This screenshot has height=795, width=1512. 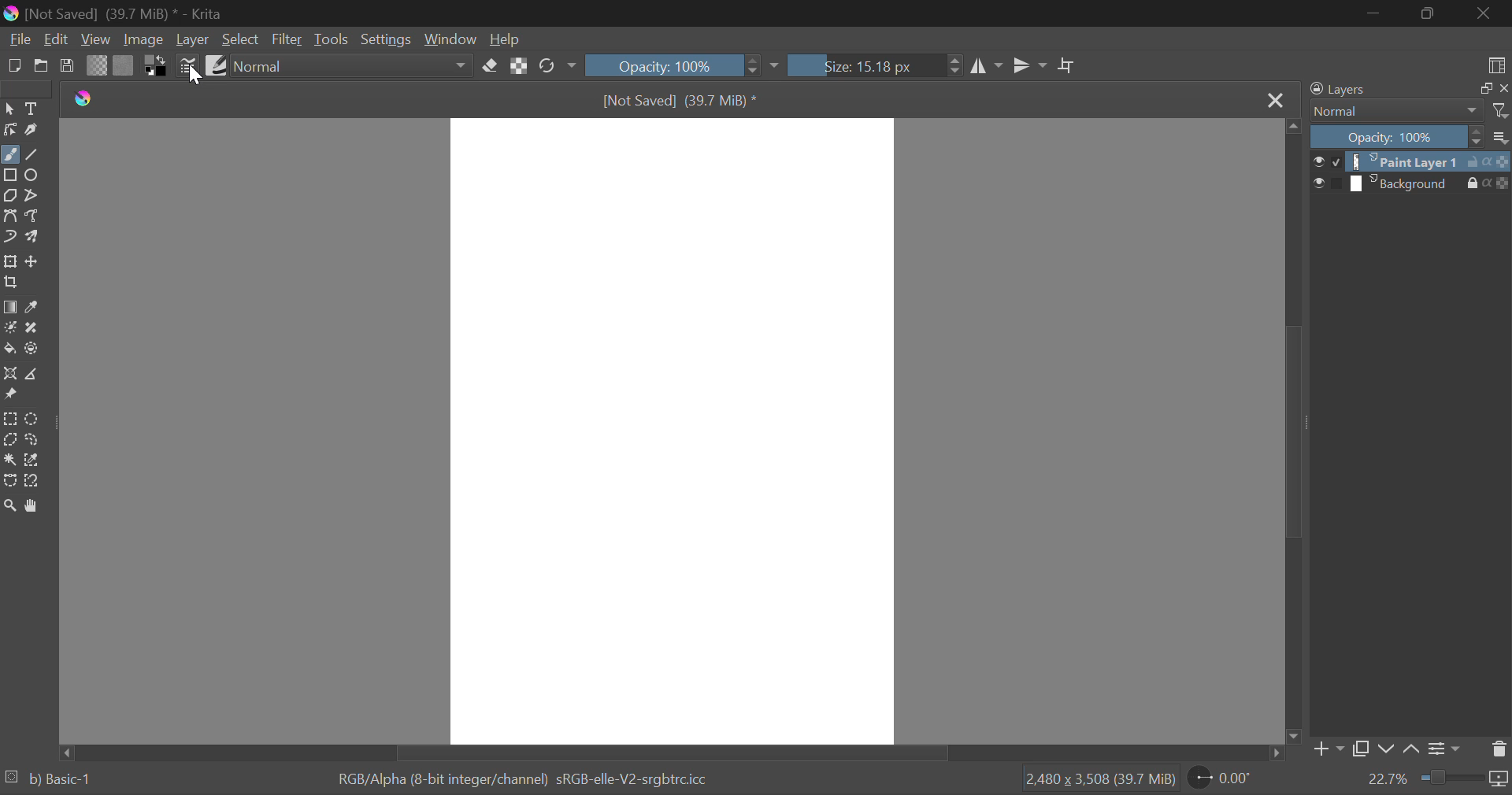 What do you see at coordinates (19, 39) in the screenshot?
I see `File` at bounding box center [19, 39].